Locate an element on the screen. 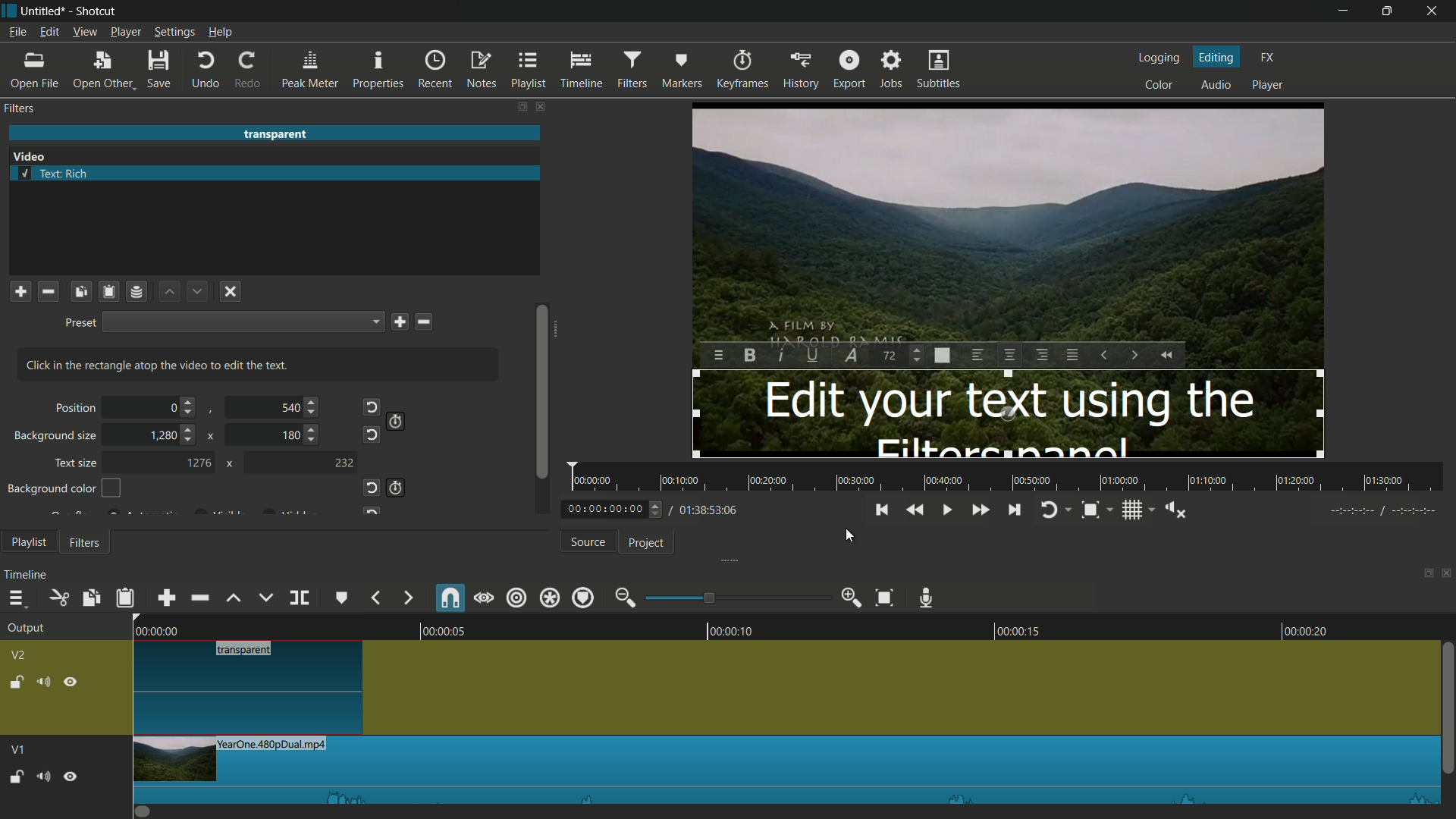 The image size is (1456, 819). 00:00:20 is located at coordinates (1313, 630).